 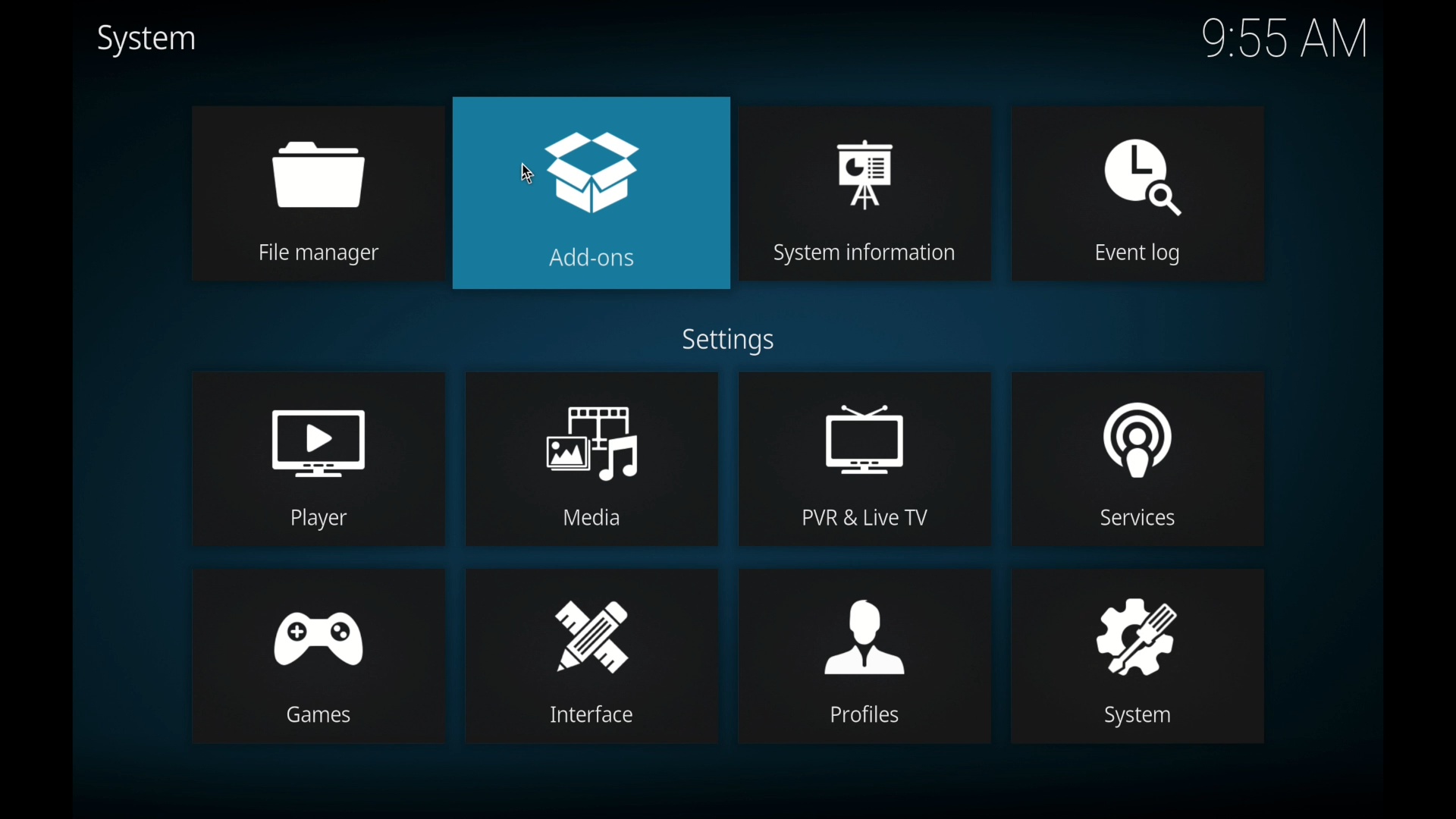 What do you see at coordinates (592, 194) in the screenshot?
I see `add-ons` at bounding box center [592, 194].